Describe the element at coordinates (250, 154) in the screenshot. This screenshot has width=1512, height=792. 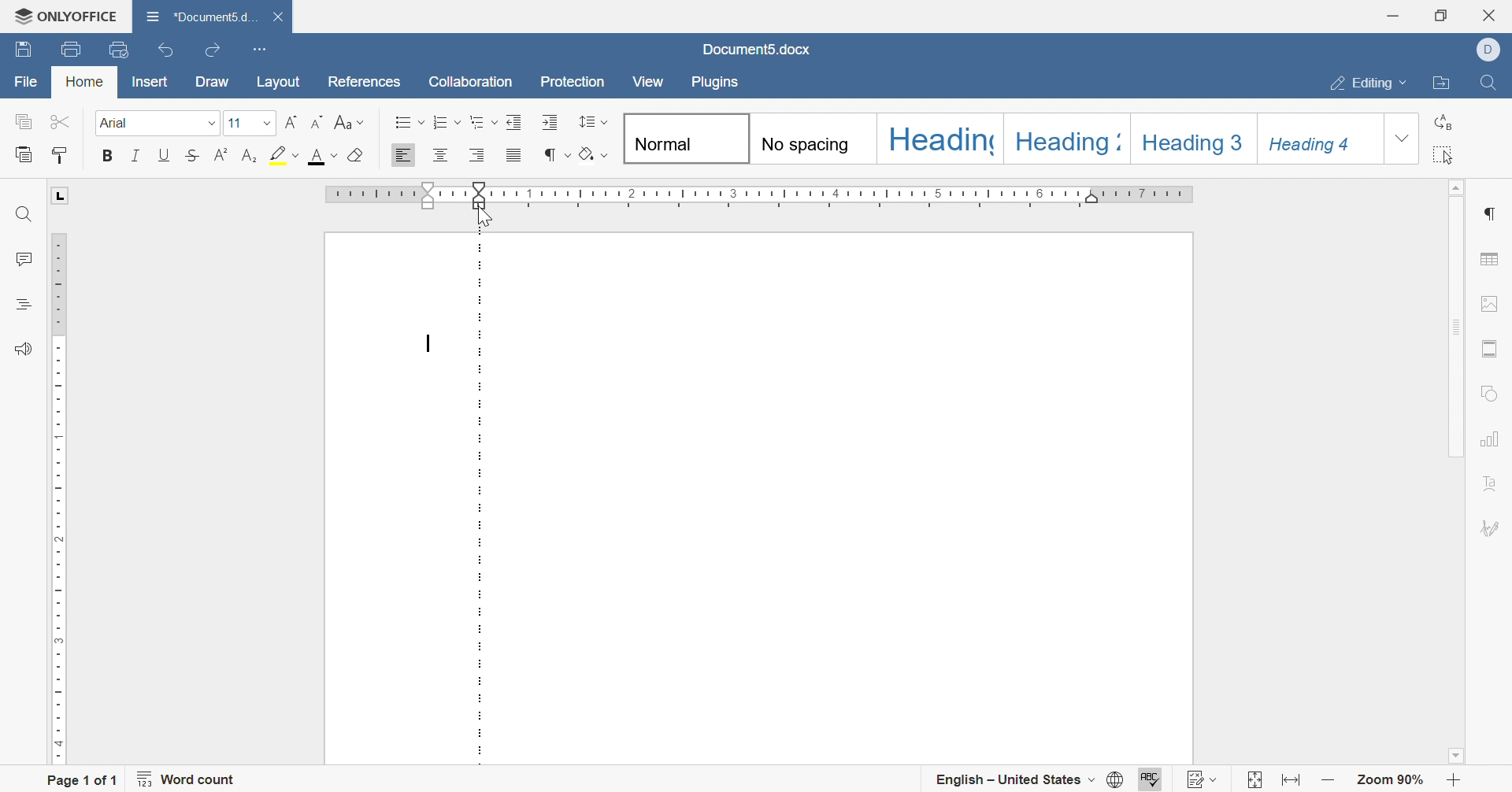
I see `subscript` at that location.